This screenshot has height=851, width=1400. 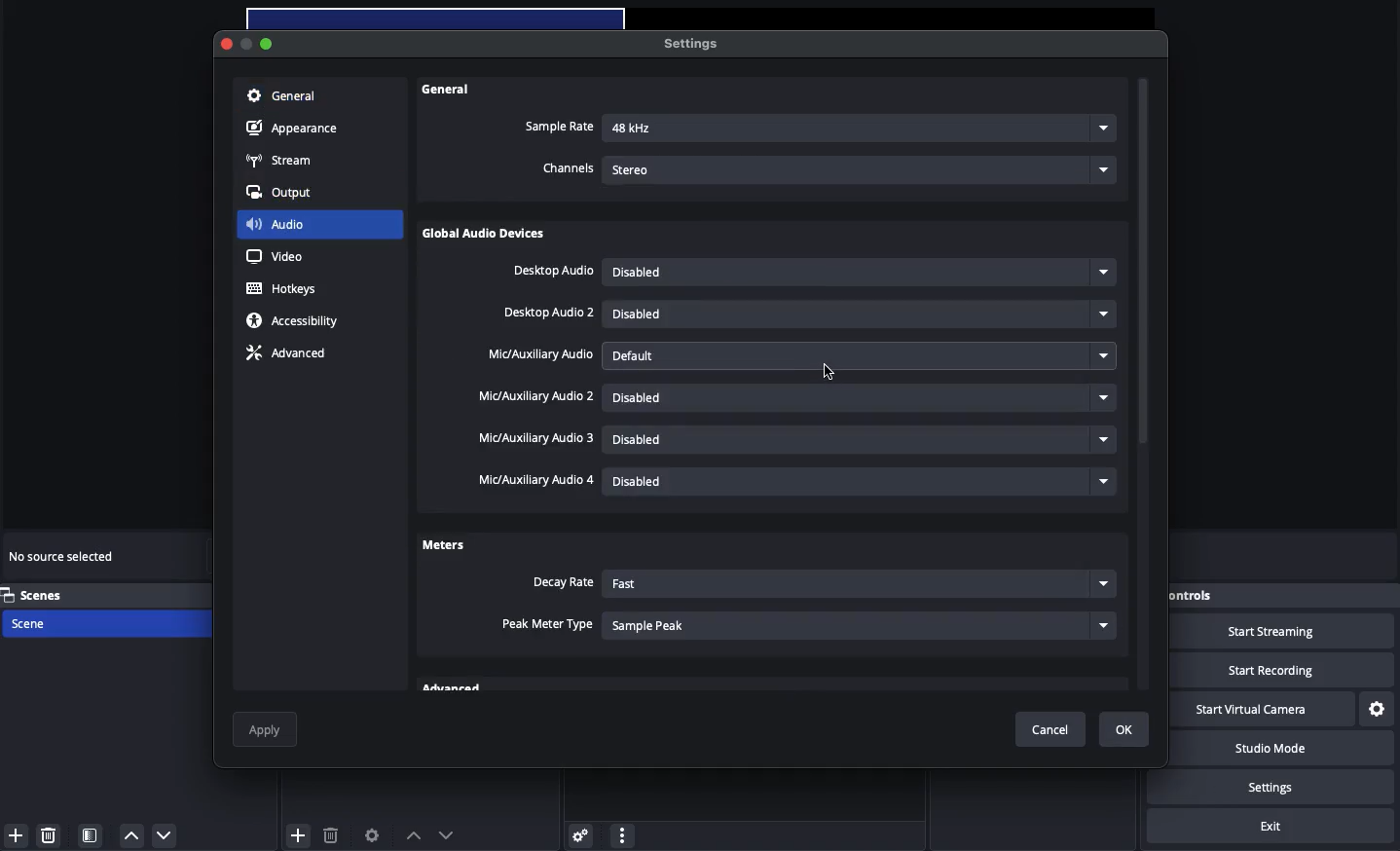 I want to click on Default, so click(x=863, y=355).